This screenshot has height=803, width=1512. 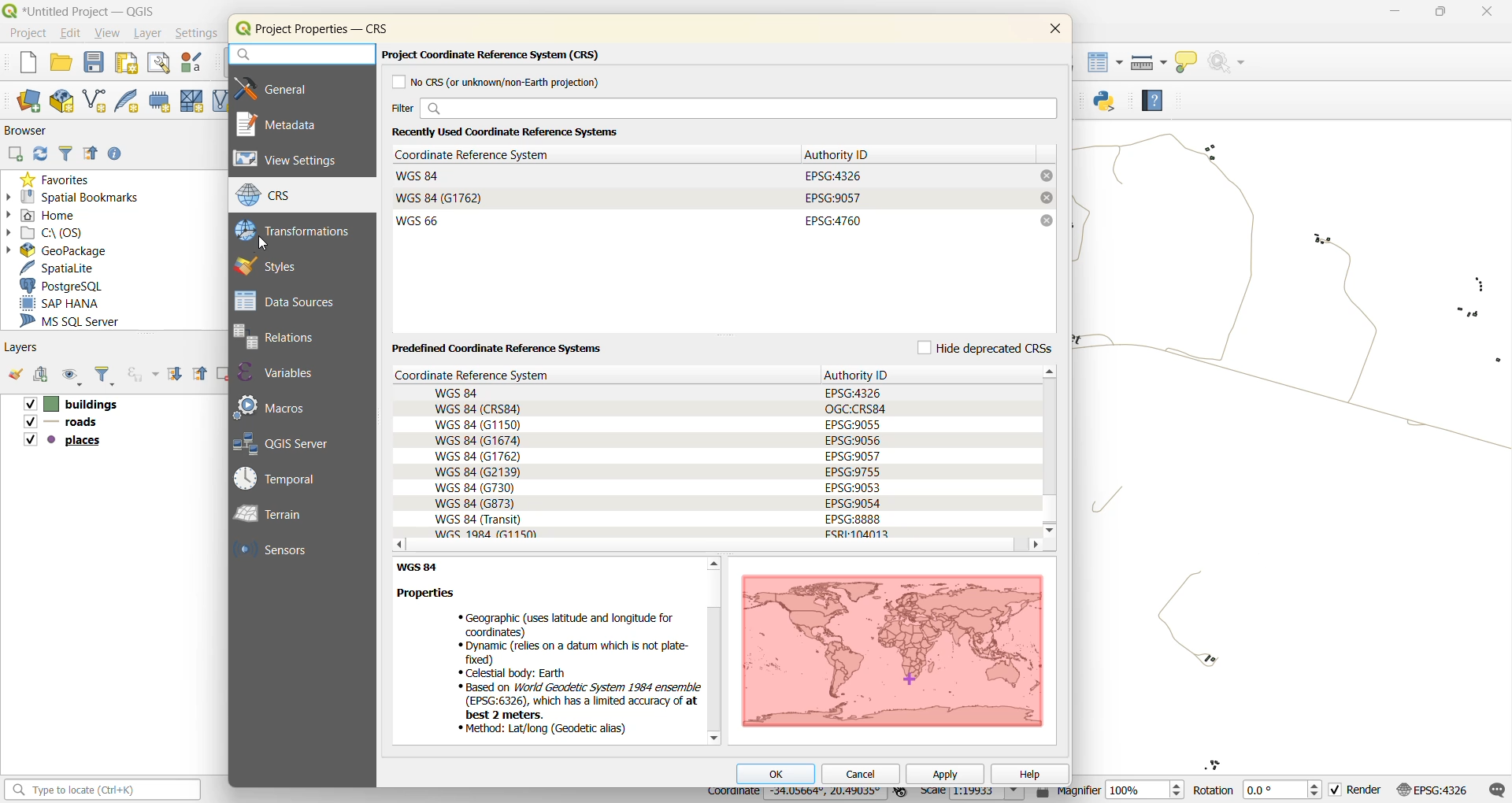 I want to click on help, so click(x=1028, y=772).